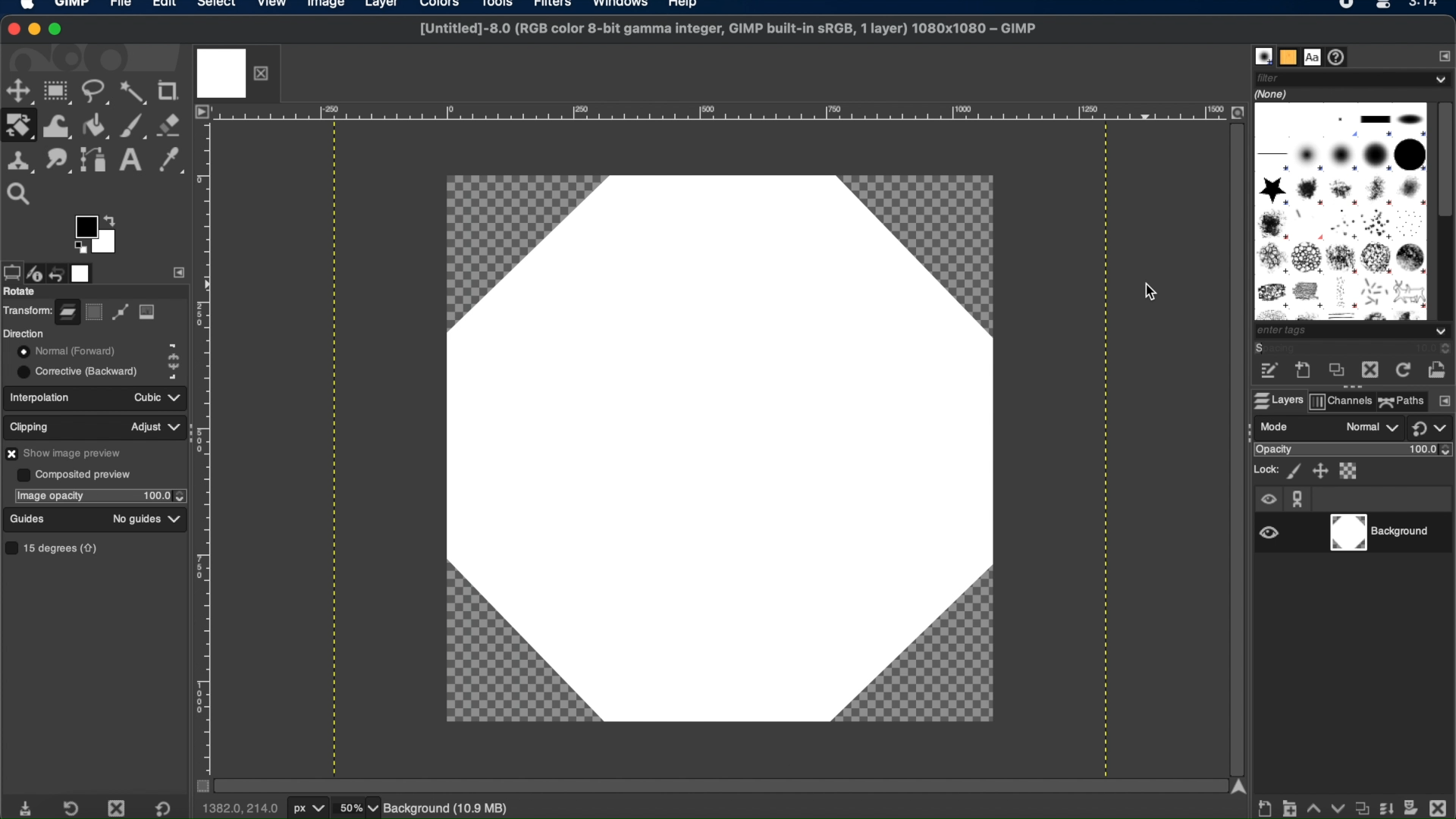 The image size is (1456, 819). Describe the element at coordinates (58, 30) in the screenshot. I see `maximize` at that location.